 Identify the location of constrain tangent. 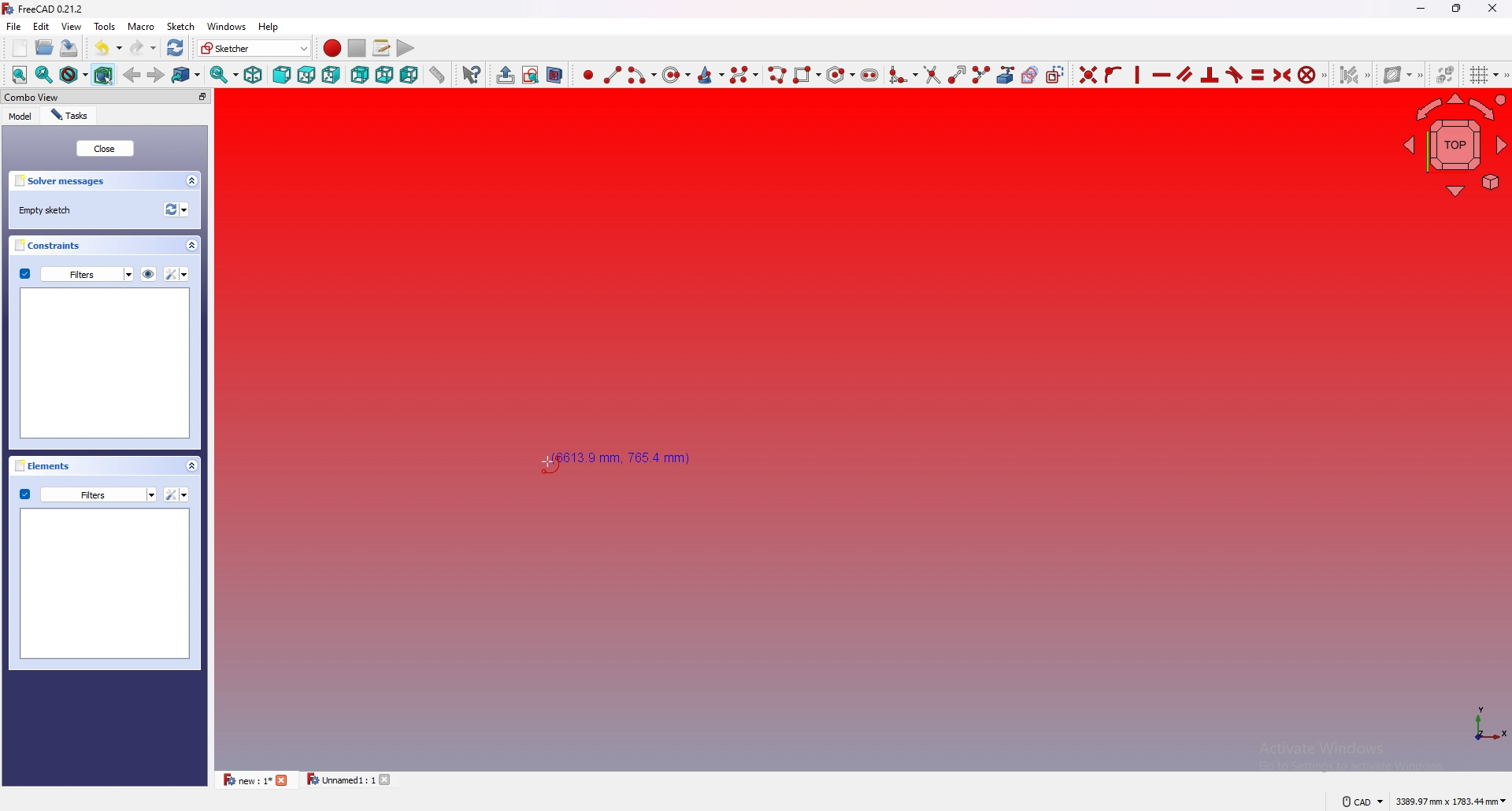
(1235, 75).